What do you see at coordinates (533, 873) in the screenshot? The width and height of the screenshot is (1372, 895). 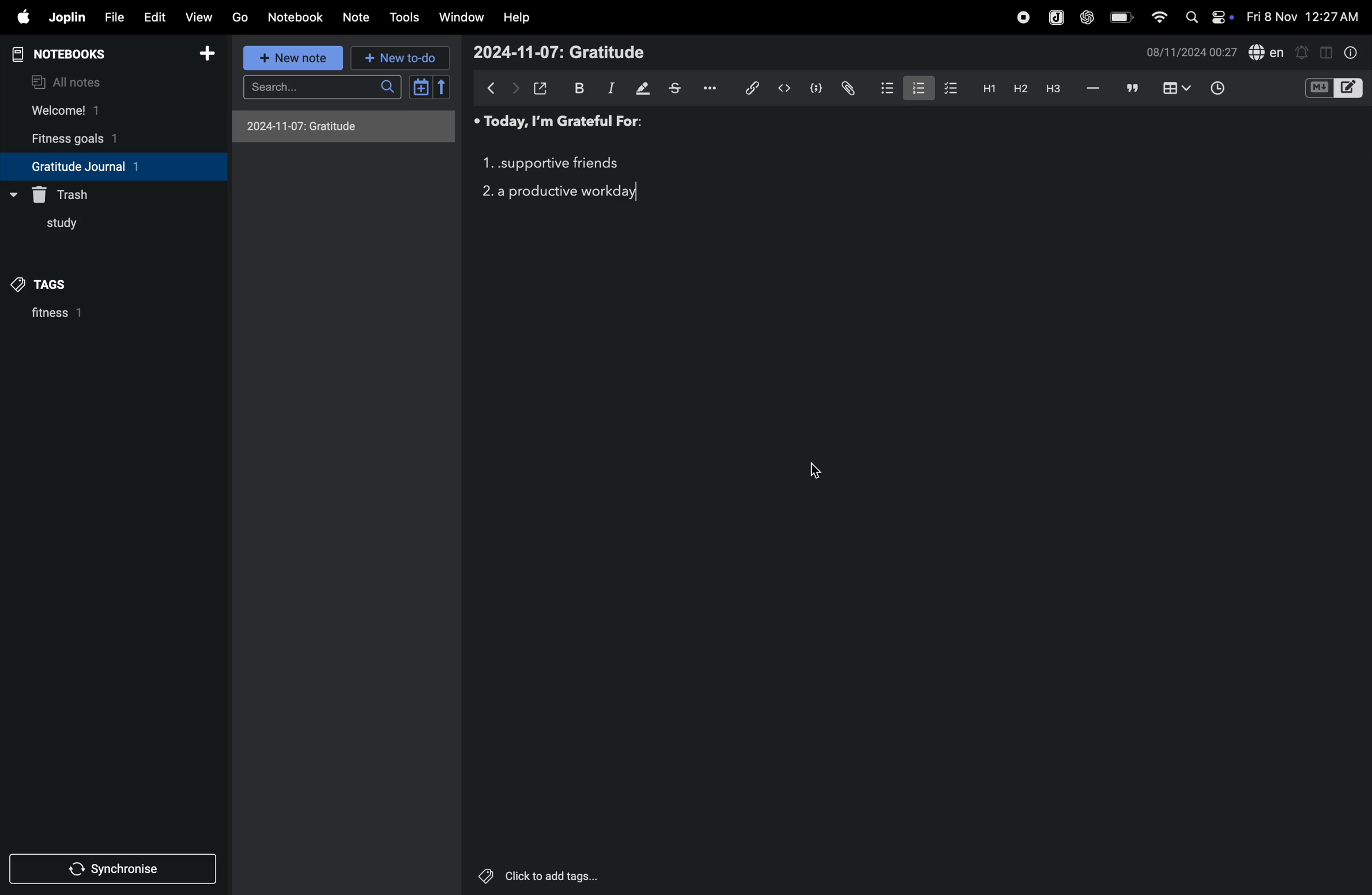 I see `click to add tags` at bounding box center [533, 873].